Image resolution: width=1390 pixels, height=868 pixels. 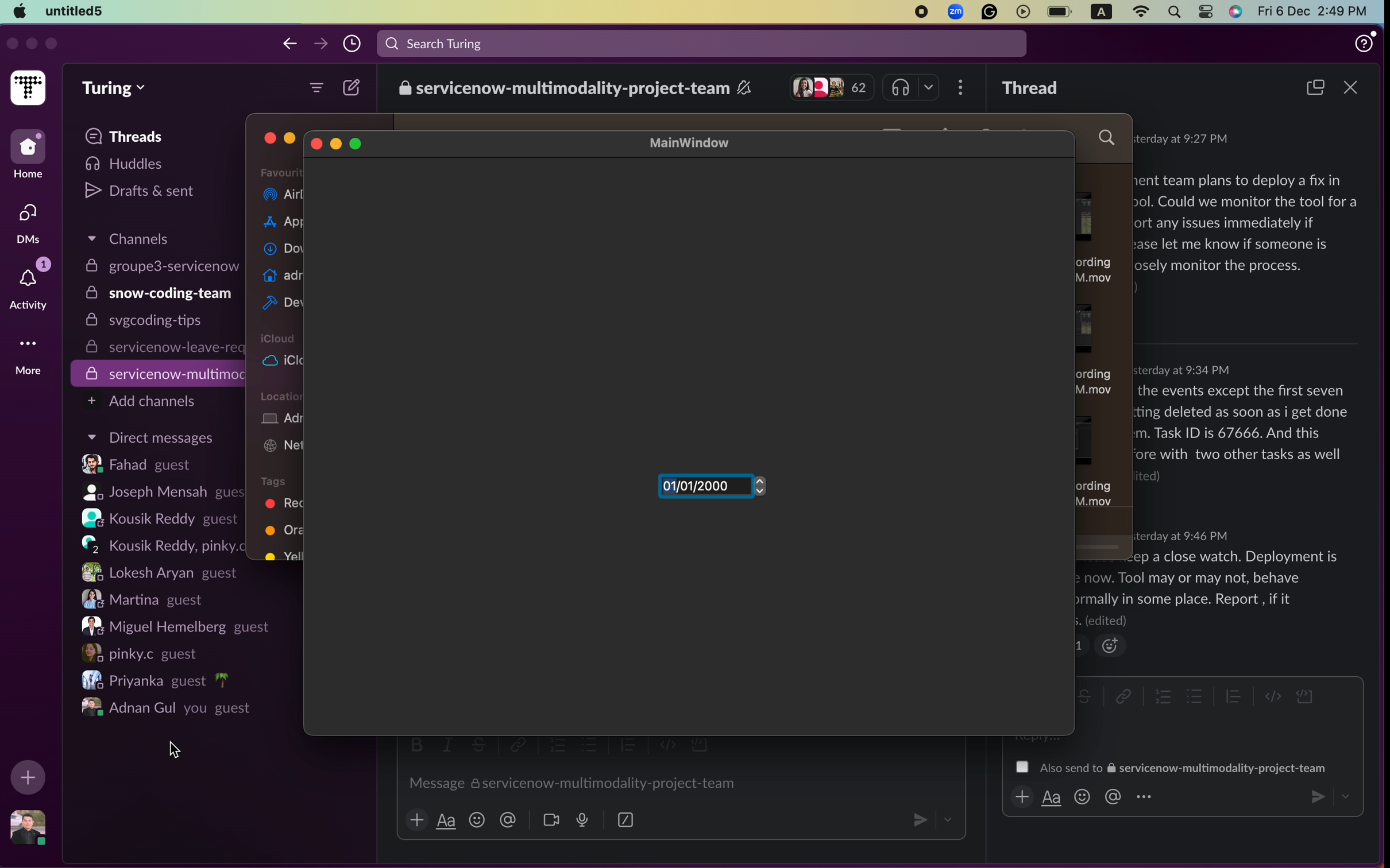 I want to click on text message, so click(x=1210, y=587).